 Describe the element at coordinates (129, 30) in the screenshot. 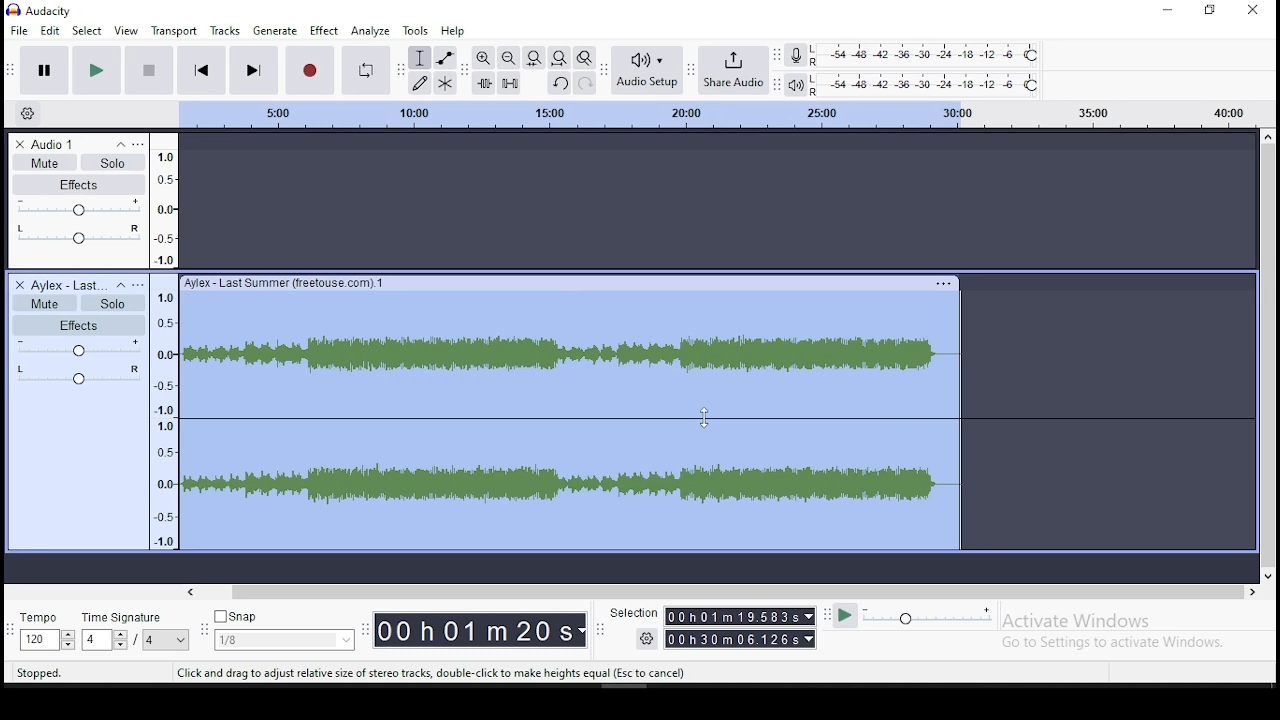

I see `view` at that location.